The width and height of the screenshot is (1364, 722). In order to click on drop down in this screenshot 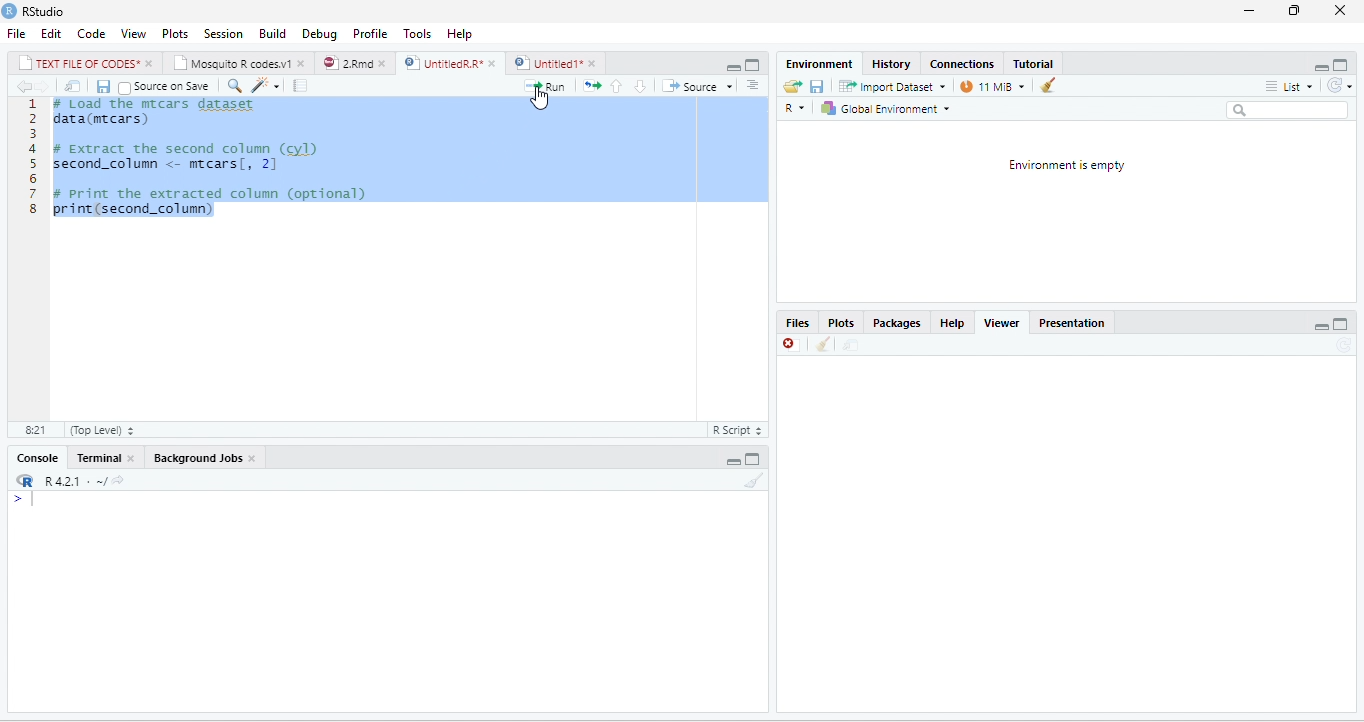, I will do `click(730, 87)`.